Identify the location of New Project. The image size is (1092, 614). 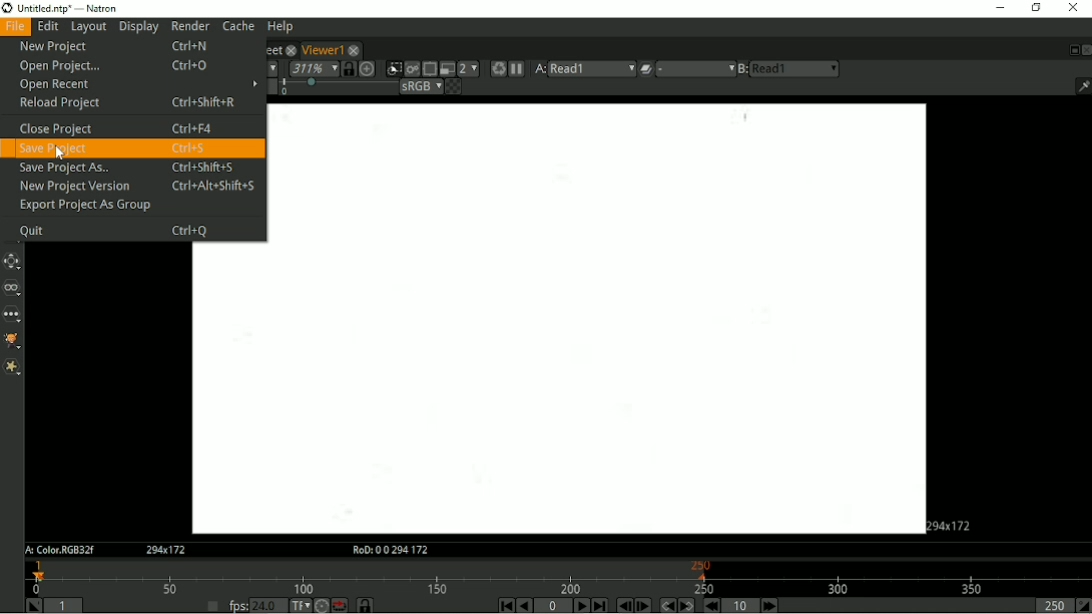
(112, 46).